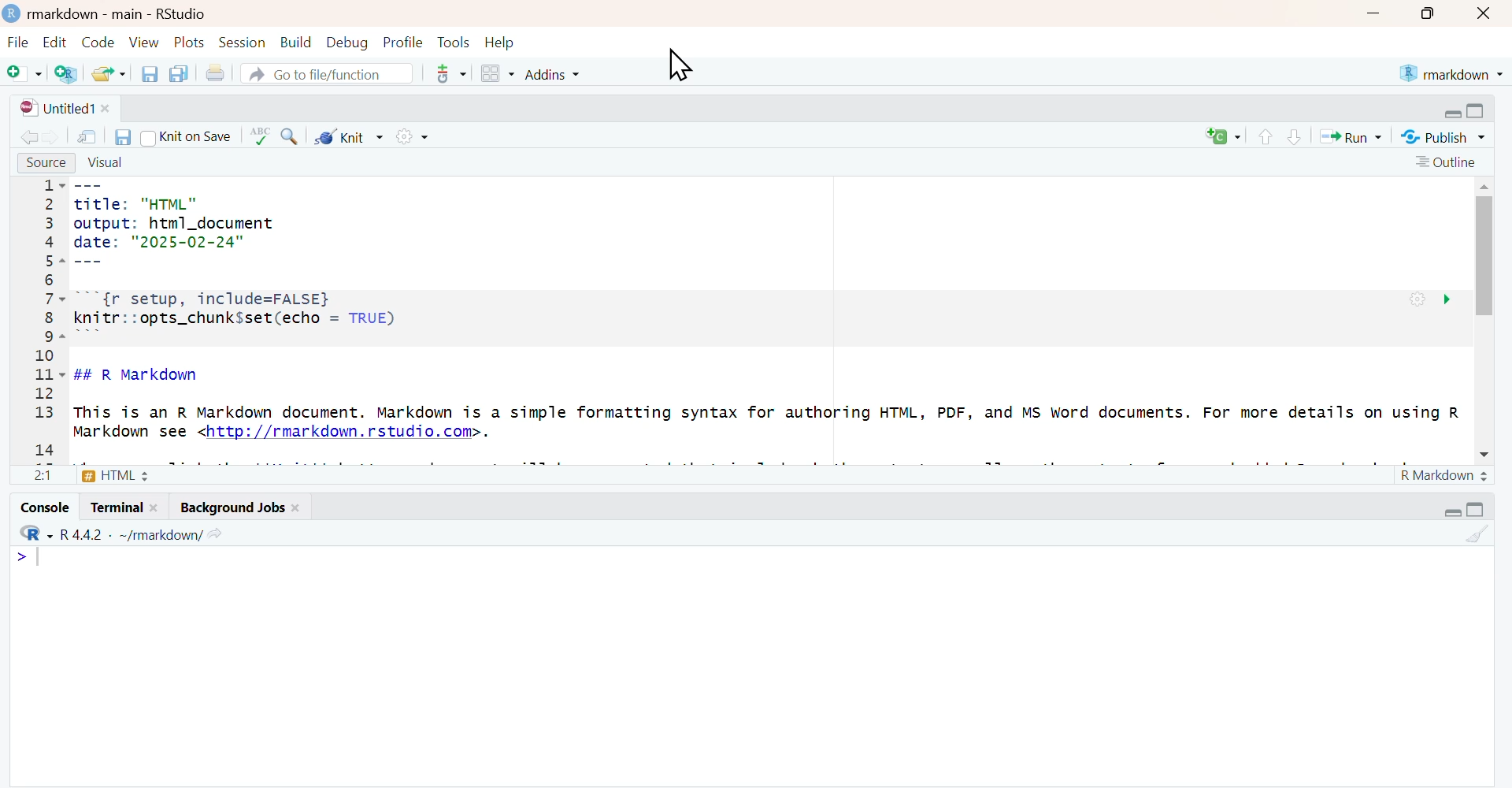 The width and height of the screenshot is (1512, 788). Describe the element at coordinates (47, 163) in the screenshot. I see `Source` at that location.